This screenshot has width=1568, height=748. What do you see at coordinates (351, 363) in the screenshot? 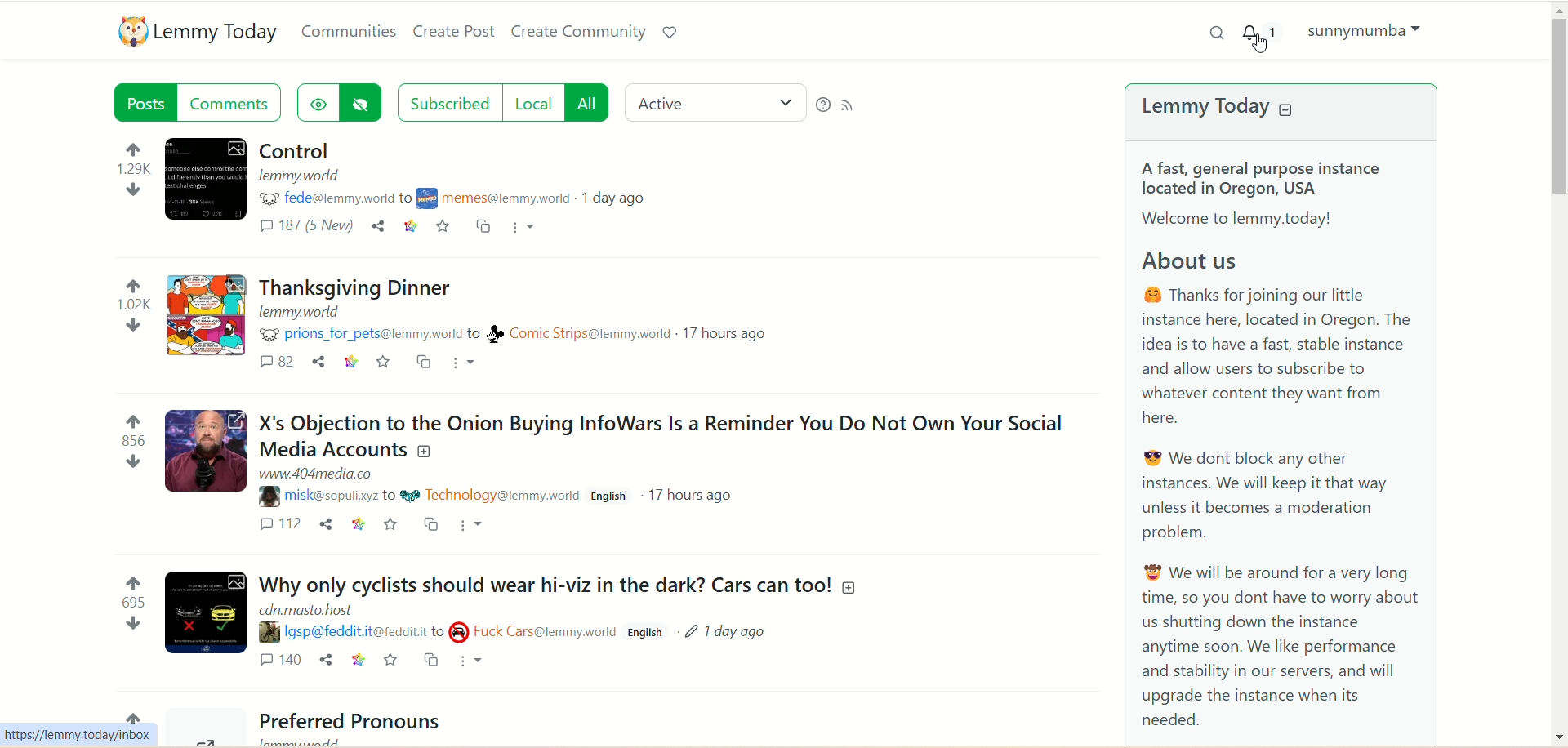
I see `context` at bounding box center [351, 363].